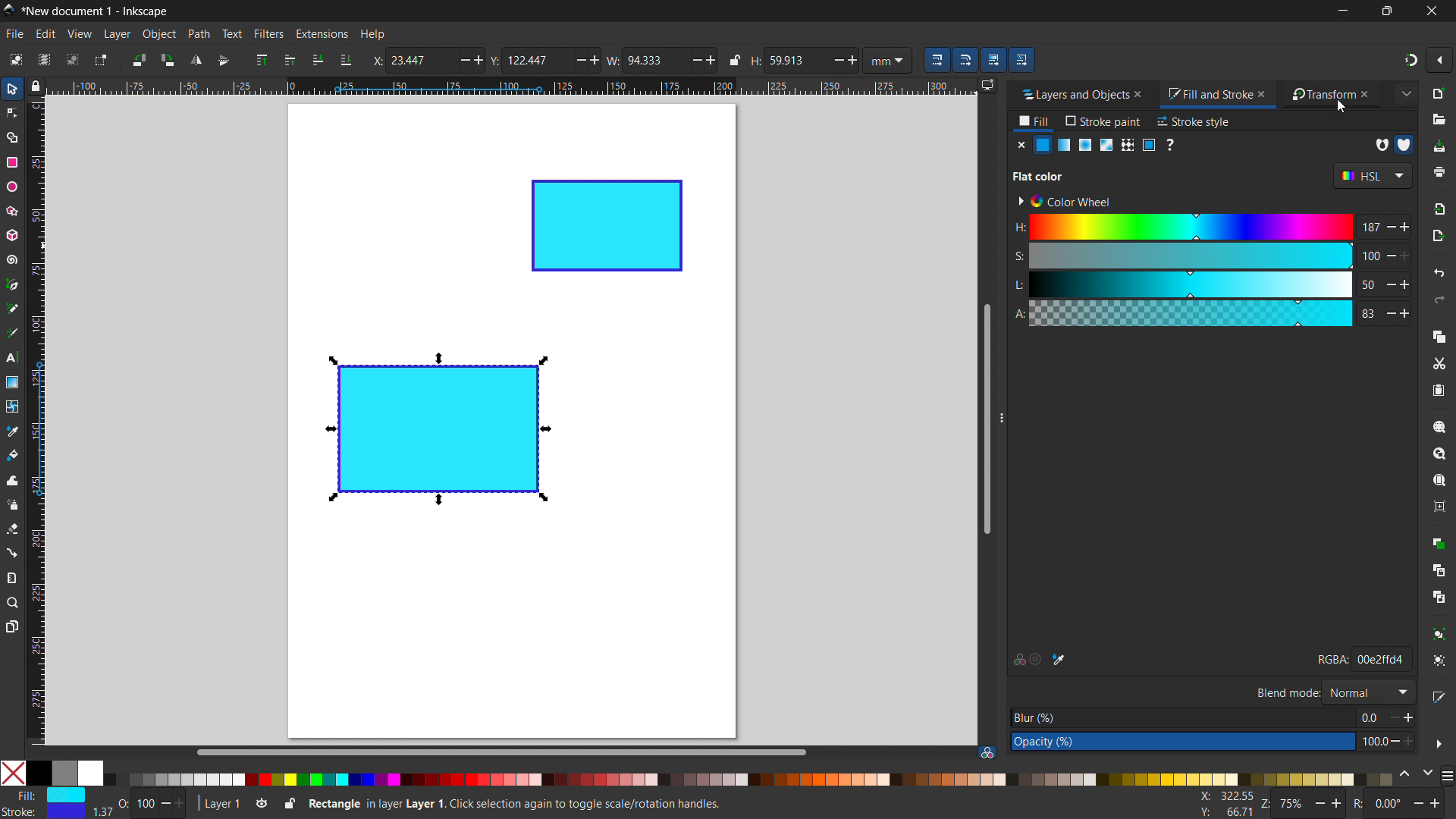 The width and height of the screenshot is (1456, 819). Describe the element at coordinates (1439, 120) in the screenshot. I see `open` at that location.